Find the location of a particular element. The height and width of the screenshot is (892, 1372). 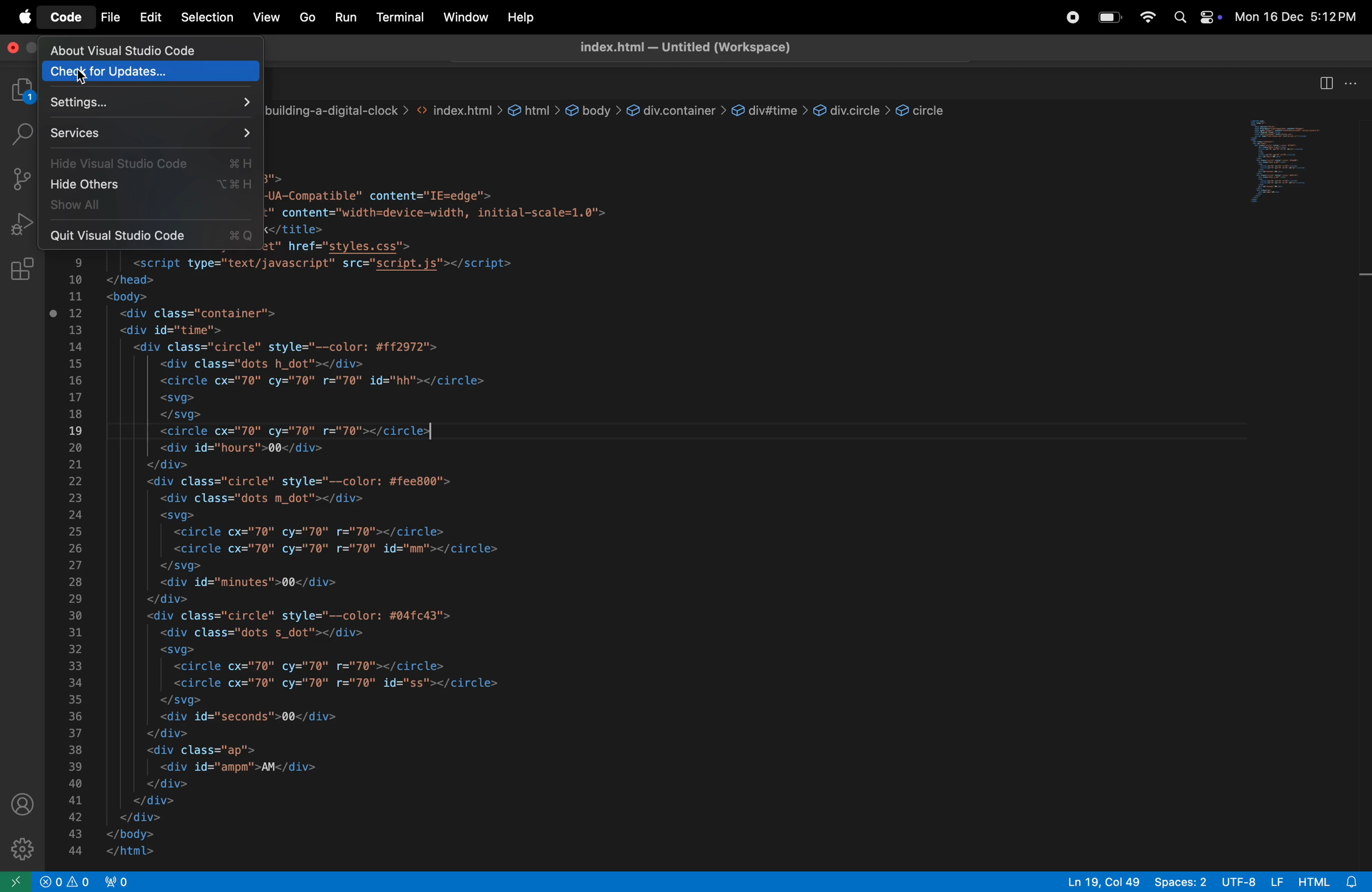

path of project folders is located at coordinates (616, 111).